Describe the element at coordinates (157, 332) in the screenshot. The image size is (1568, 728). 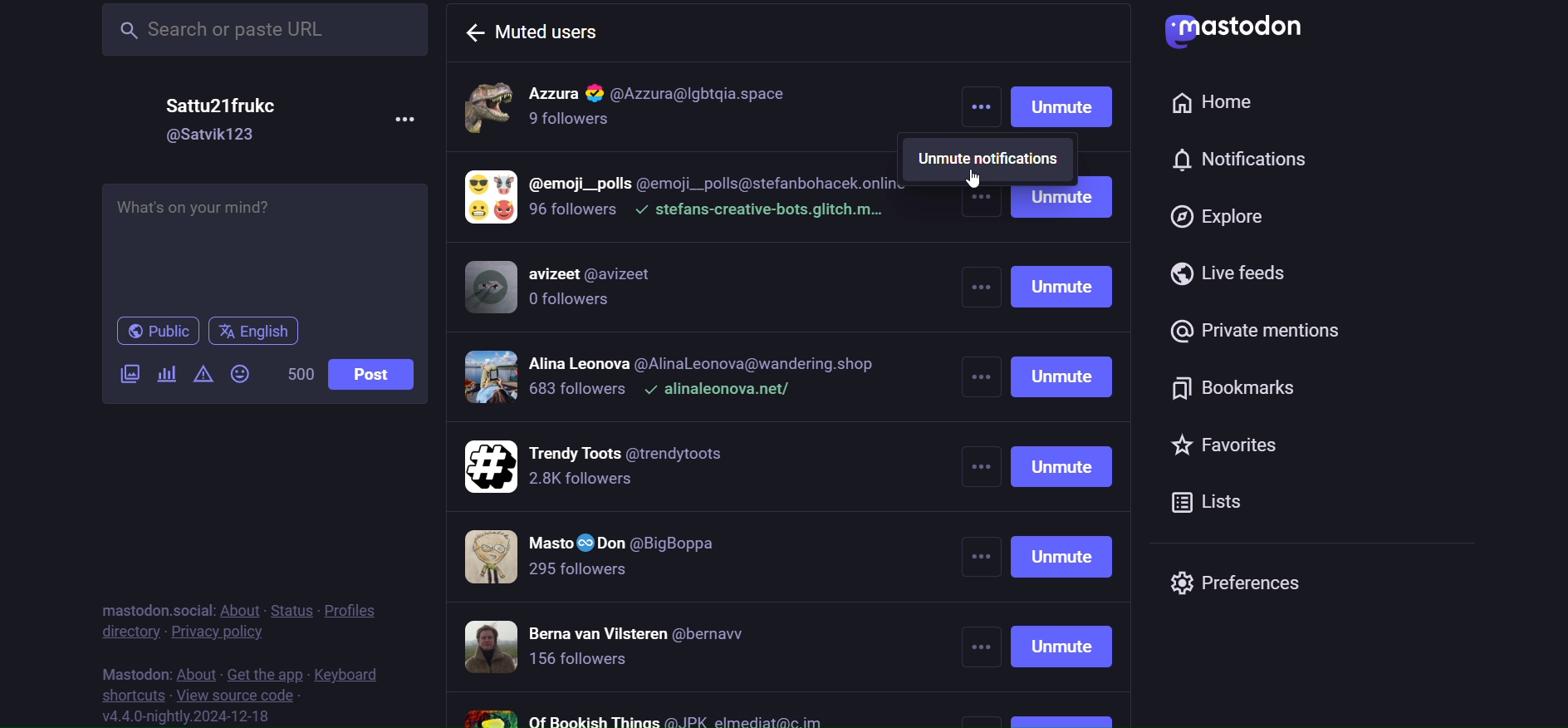
I see `public` at that location.